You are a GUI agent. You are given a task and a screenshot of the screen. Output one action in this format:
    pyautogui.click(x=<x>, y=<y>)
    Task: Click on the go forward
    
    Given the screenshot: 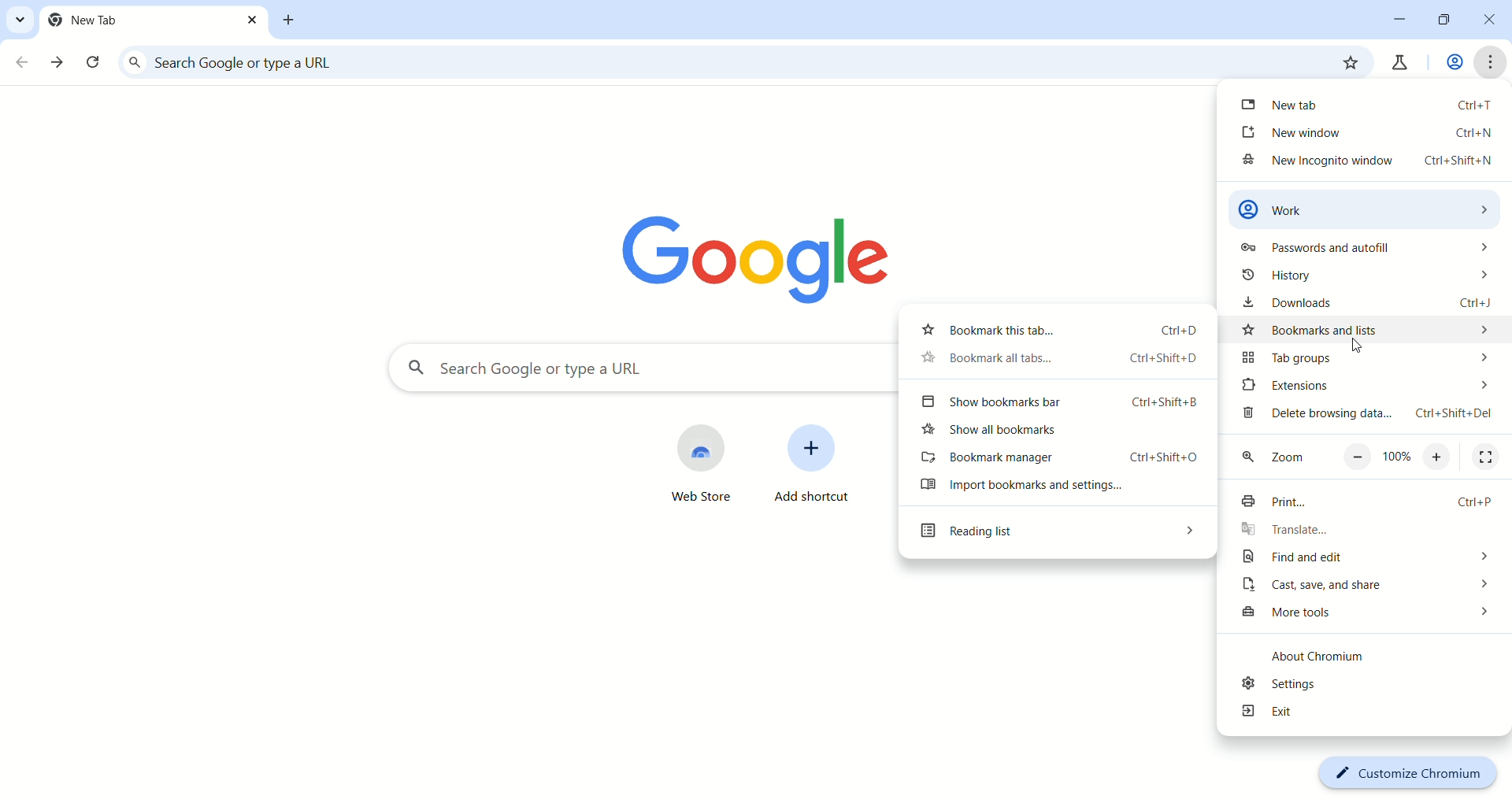 What is the action you would take?
    pyautogui.click(x=59, y=63)
    